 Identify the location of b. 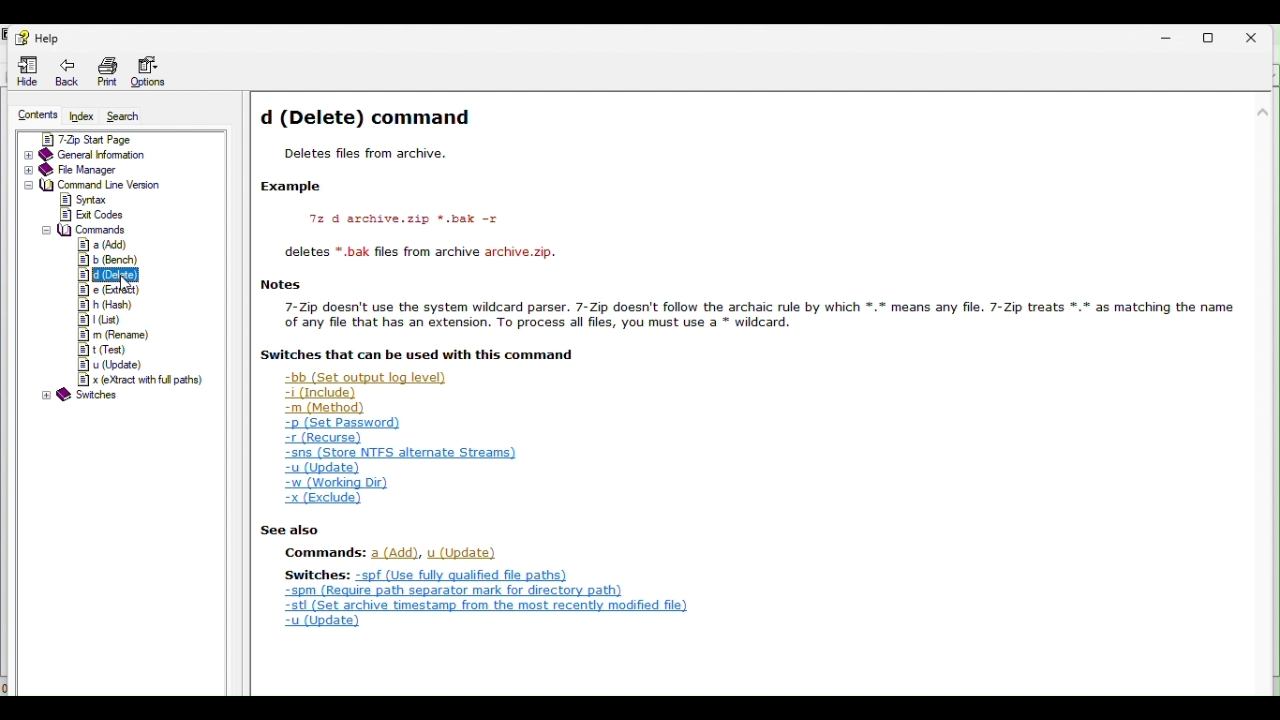
(108, 261).